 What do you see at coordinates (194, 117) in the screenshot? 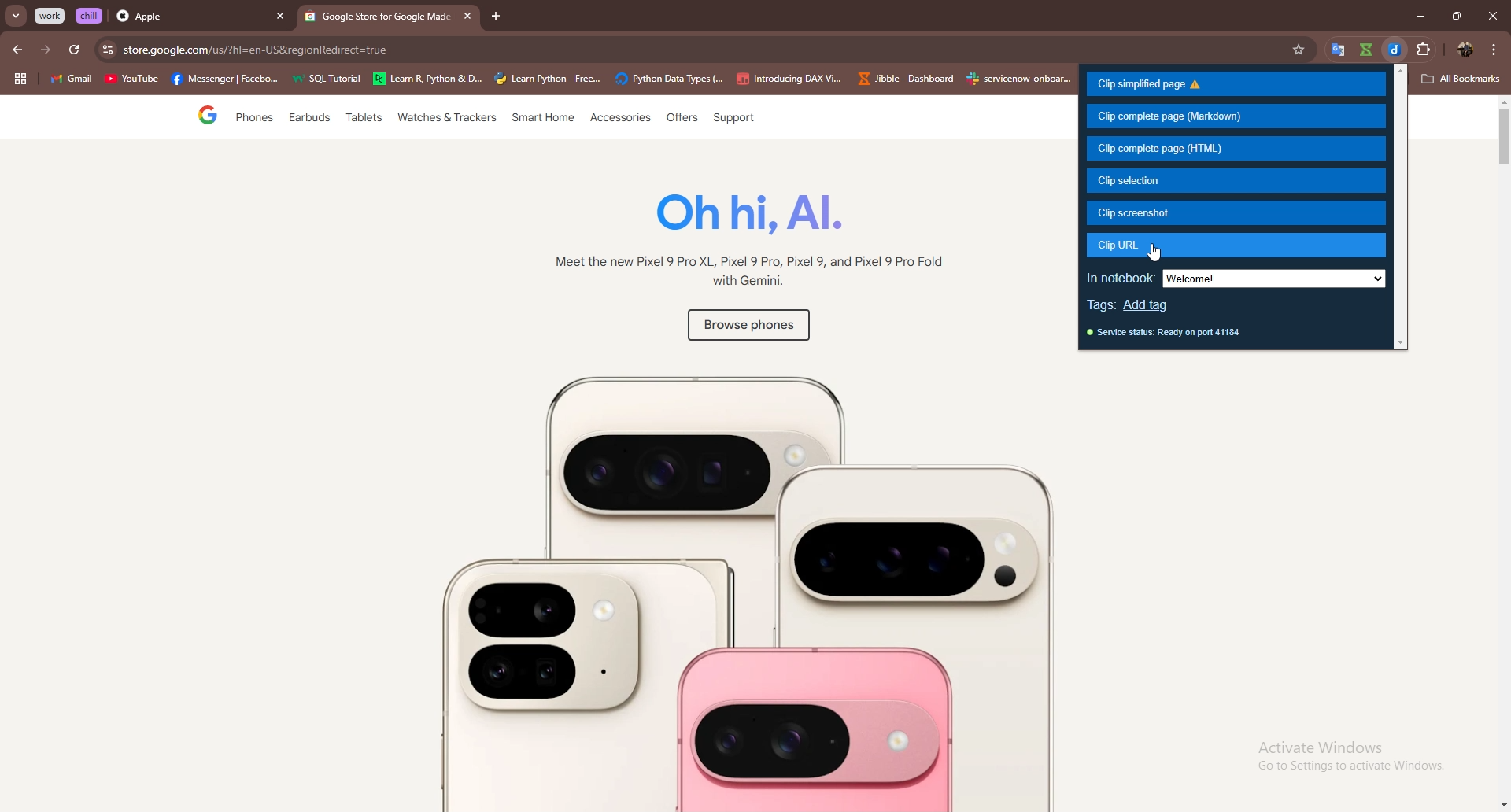
I see `Google page` at bounding box center [194, 117].